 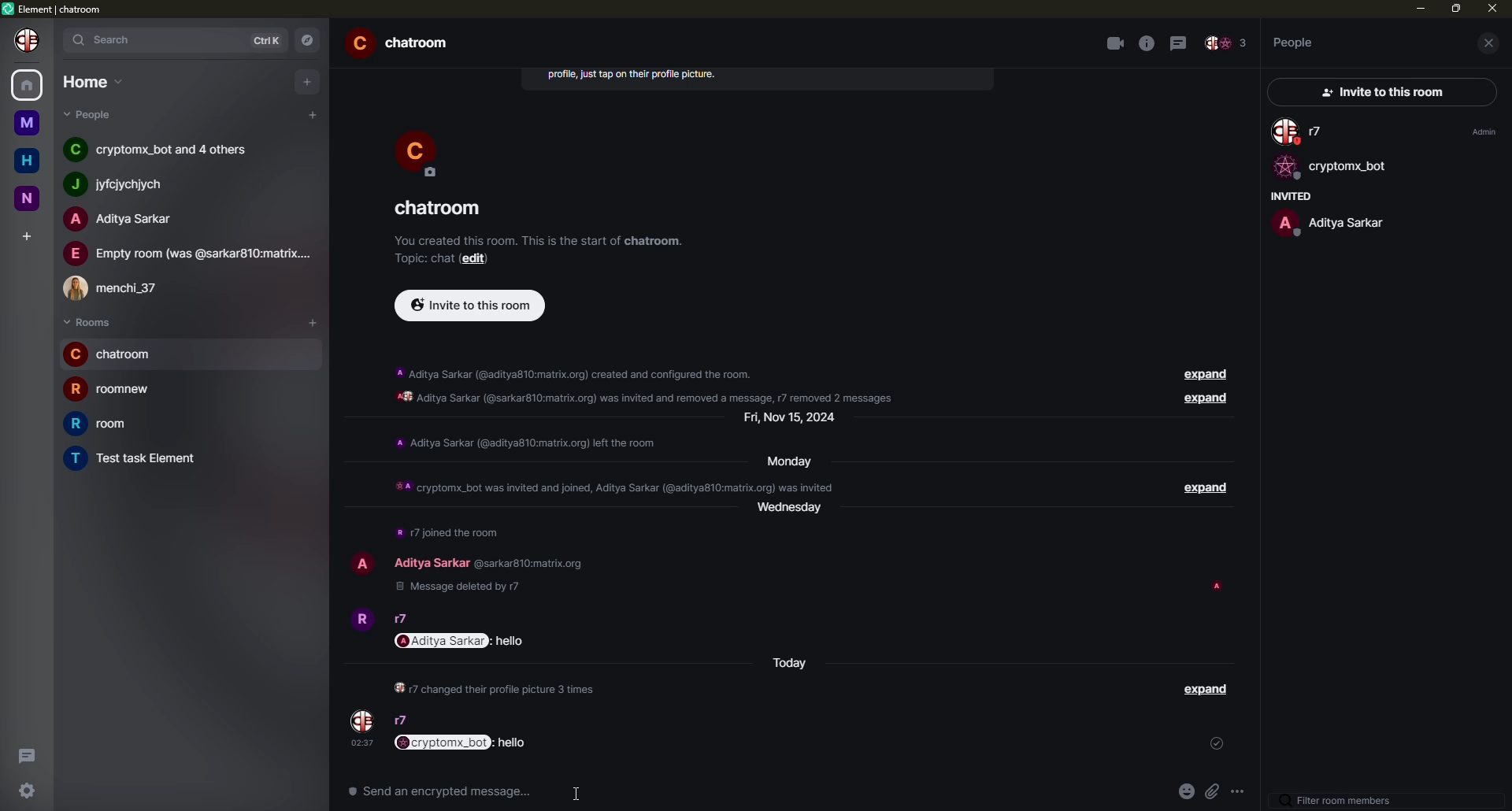 I want to click on emoji, so click(x=1159, y=792).